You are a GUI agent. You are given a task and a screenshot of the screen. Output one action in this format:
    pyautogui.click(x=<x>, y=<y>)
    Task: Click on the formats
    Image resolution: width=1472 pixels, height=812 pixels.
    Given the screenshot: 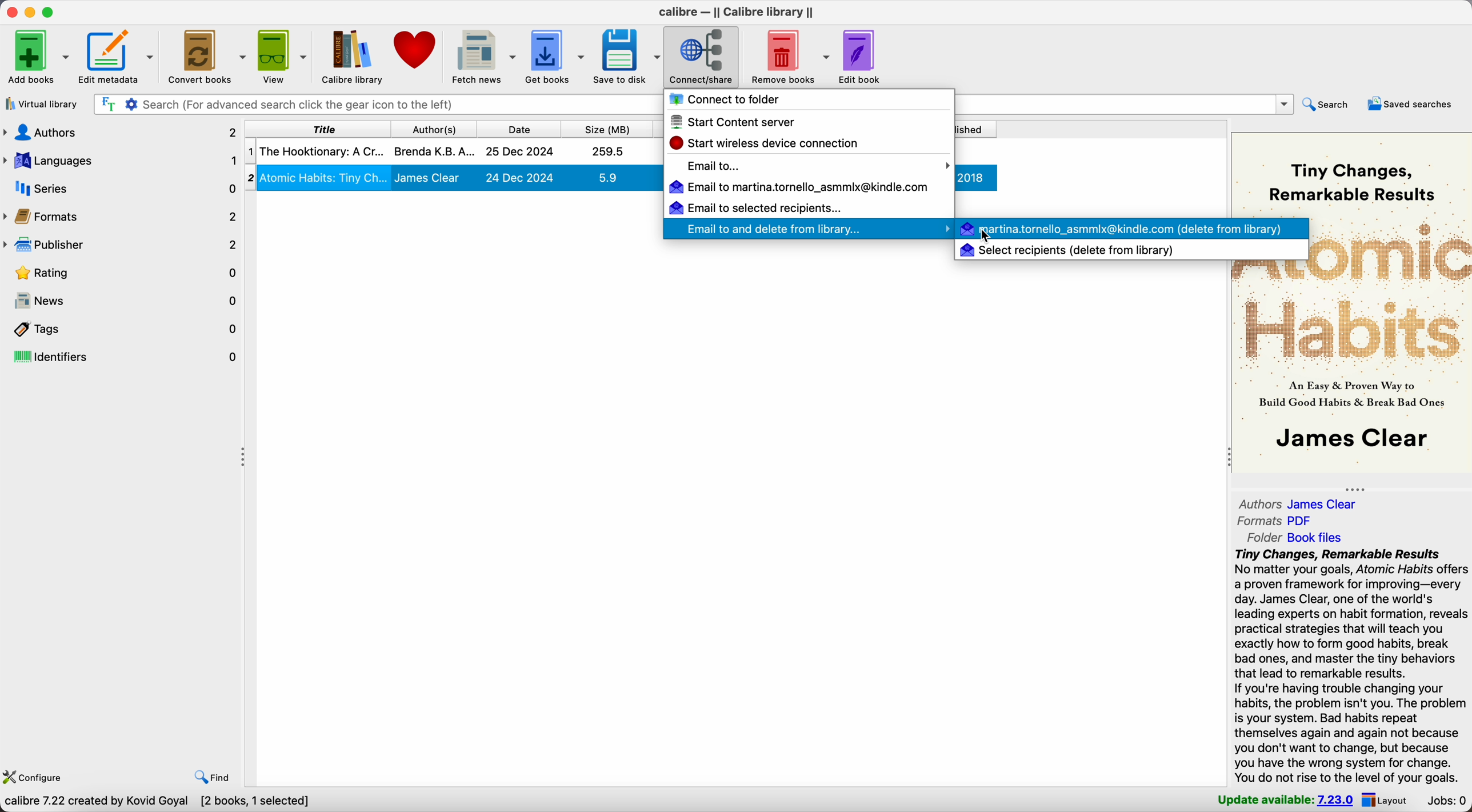 What is the action you would take?
    pyautogui.click(x=1275, y=521)
    